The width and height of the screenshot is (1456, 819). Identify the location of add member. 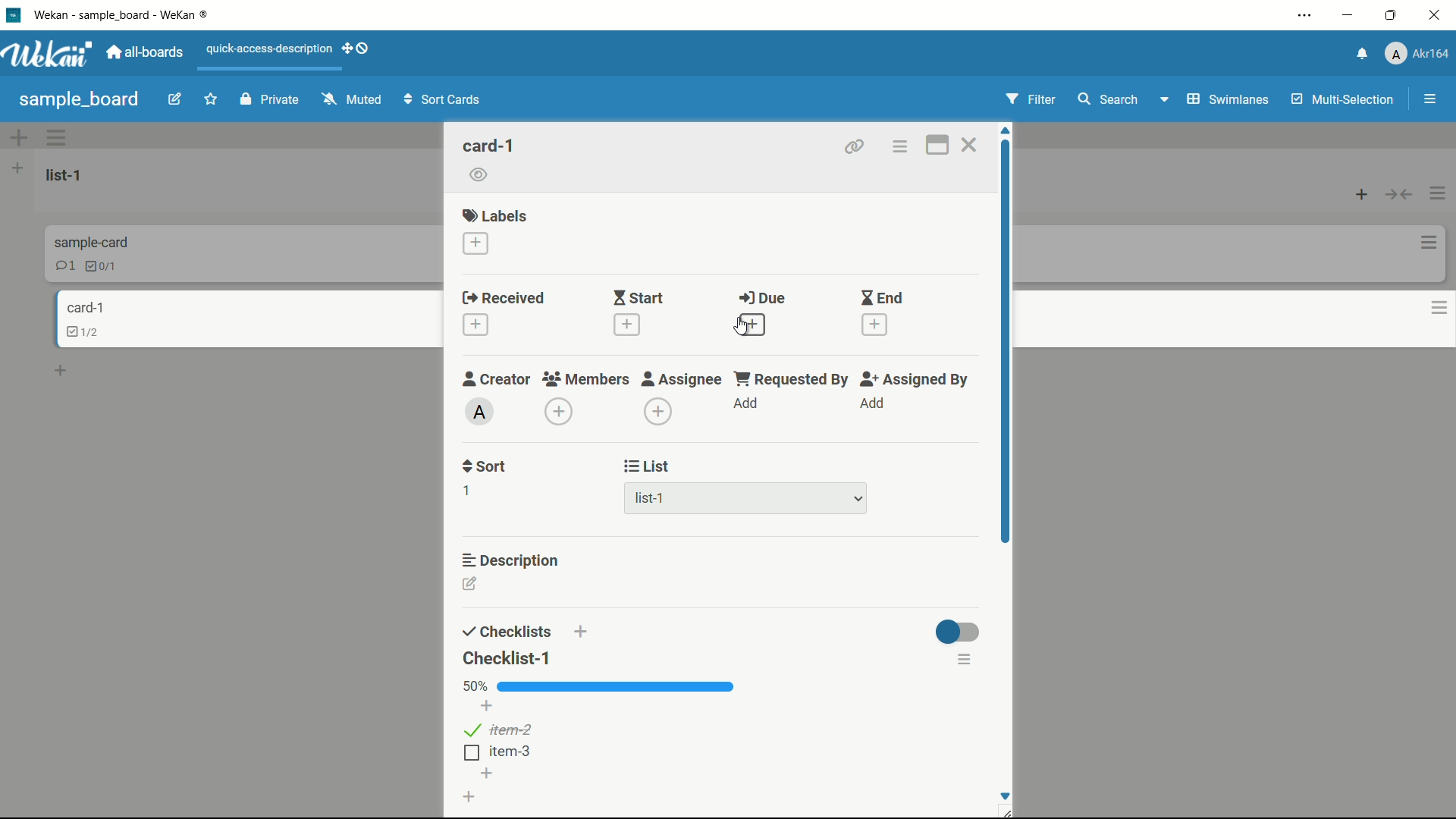
(557, 411).